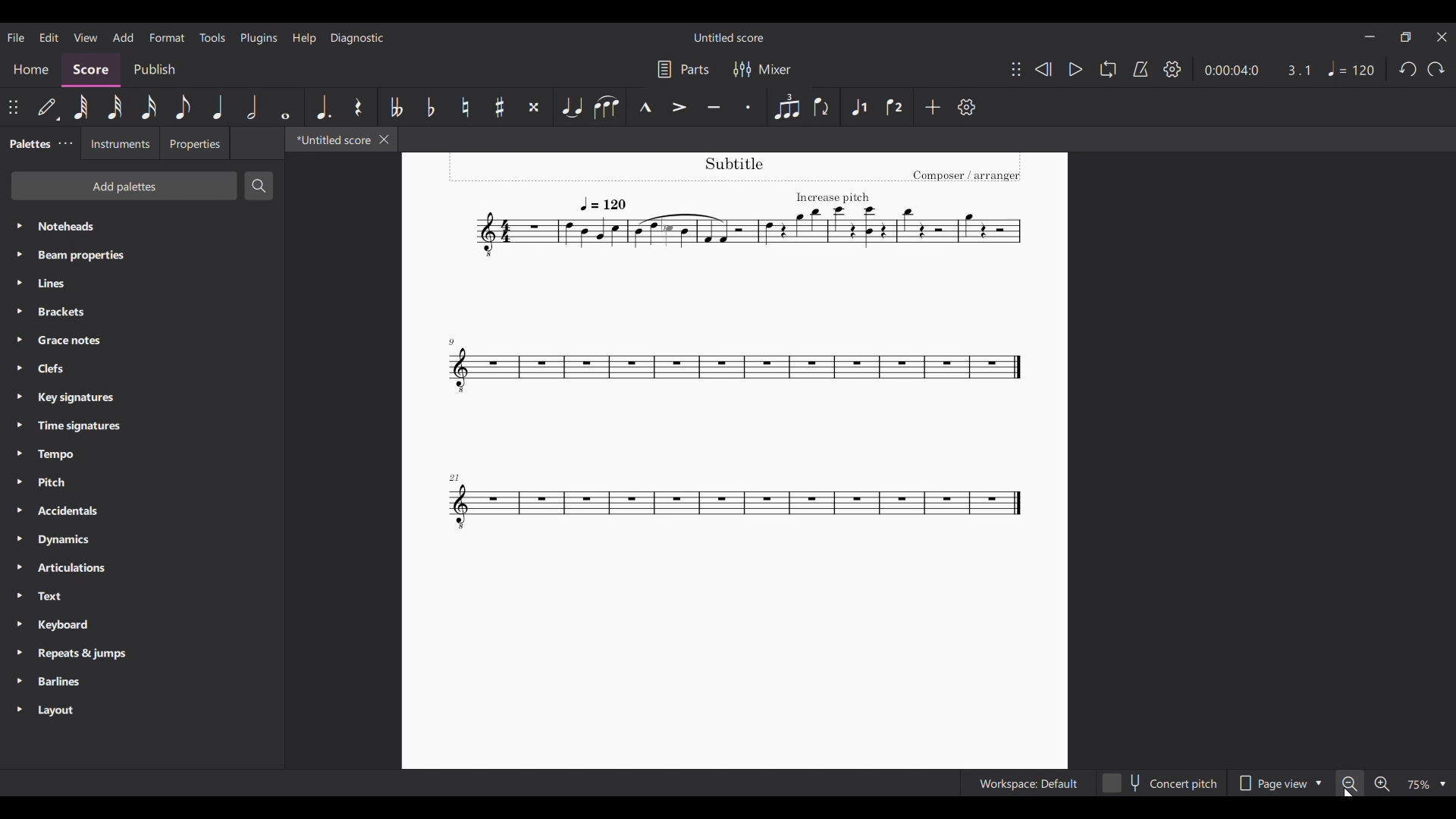 The width and height of the screenshot is (1456, 819). I want to click on Beam properties, so click(141, 255).